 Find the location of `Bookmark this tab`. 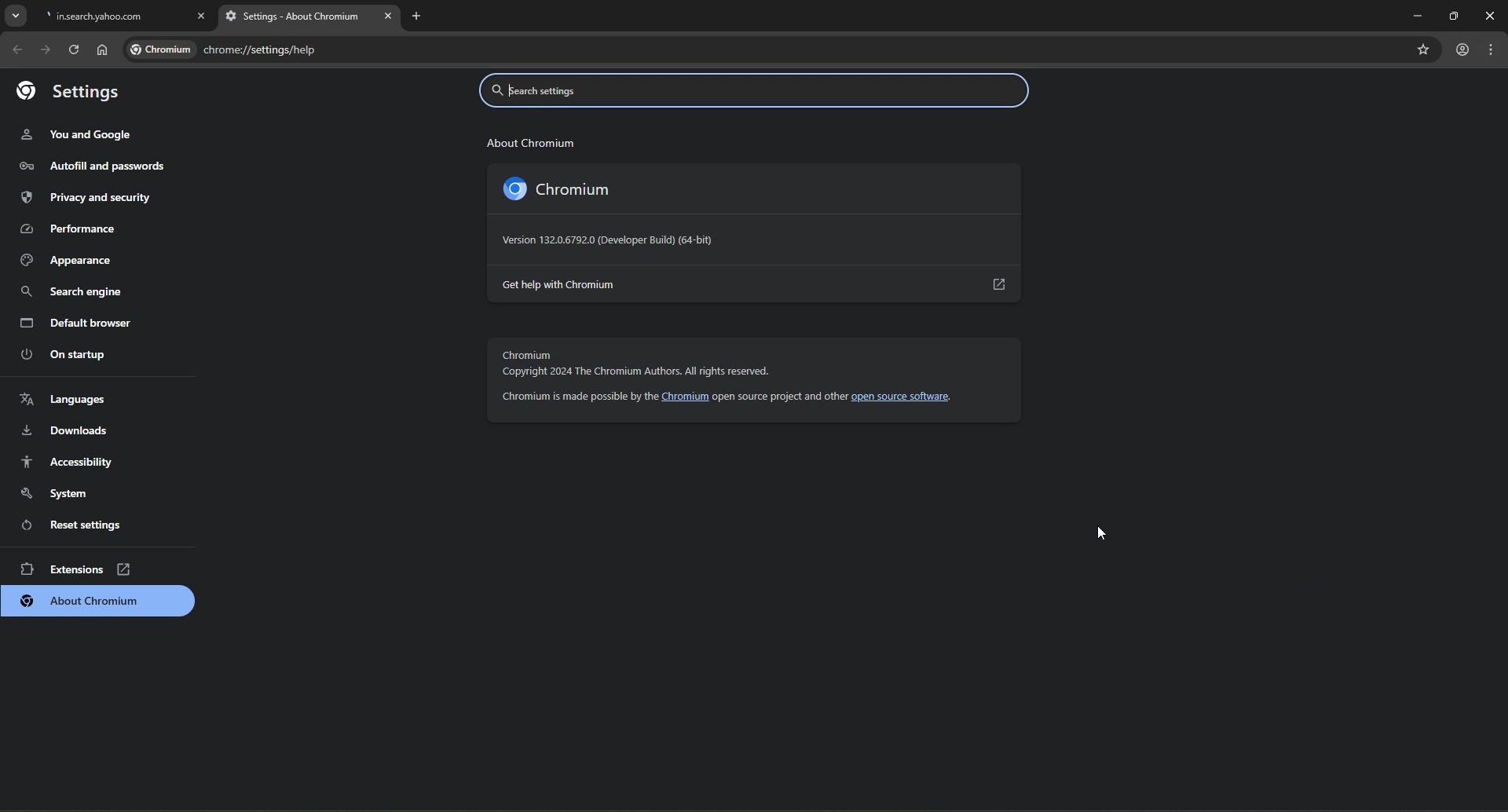

Bookmark this tab is located at coordinates (1422, 48).